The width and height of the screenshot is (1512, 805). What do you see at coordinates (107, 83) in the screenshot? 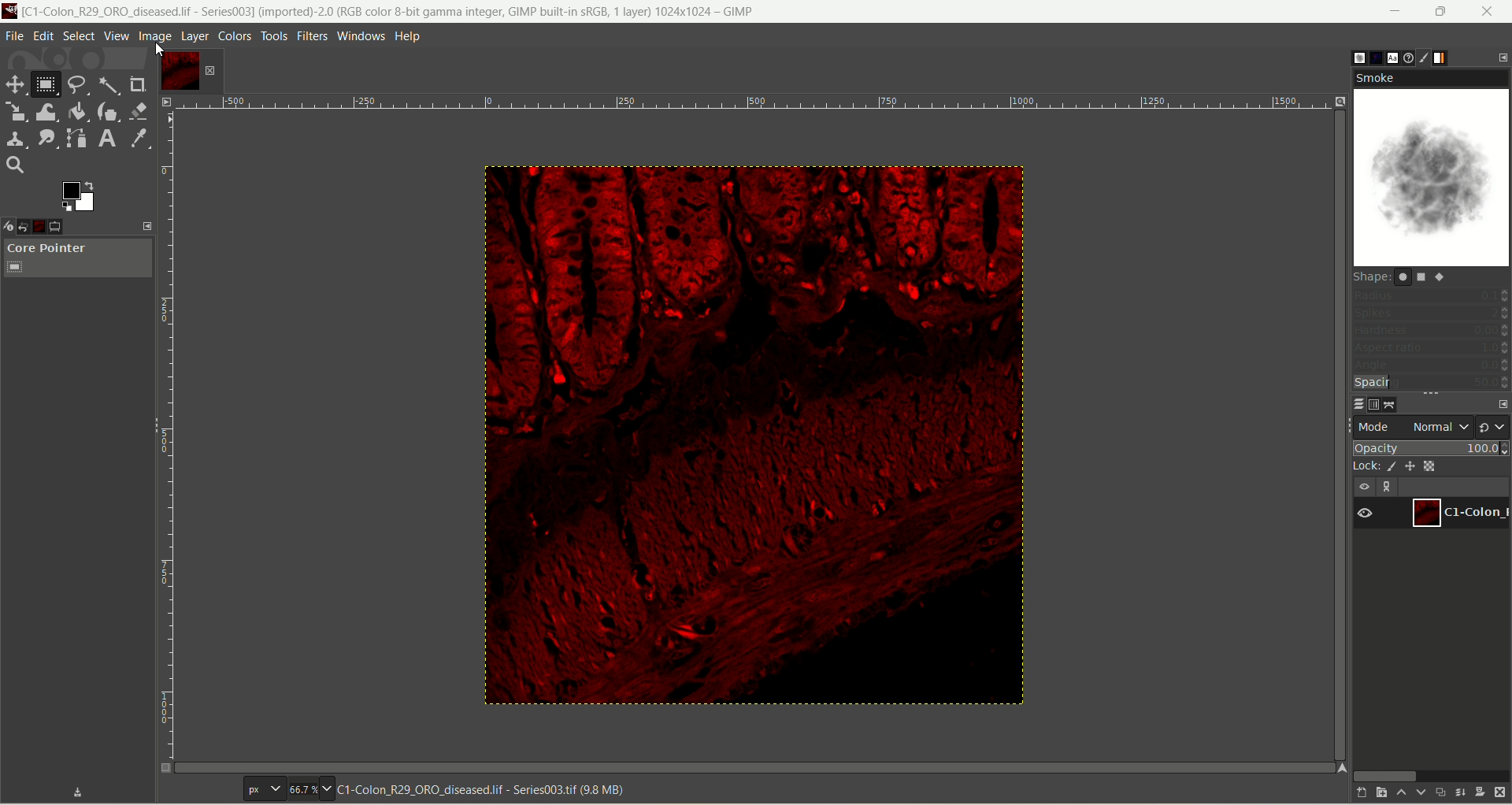
I see `fuzzy select tool` at bounding box center [107, 83].